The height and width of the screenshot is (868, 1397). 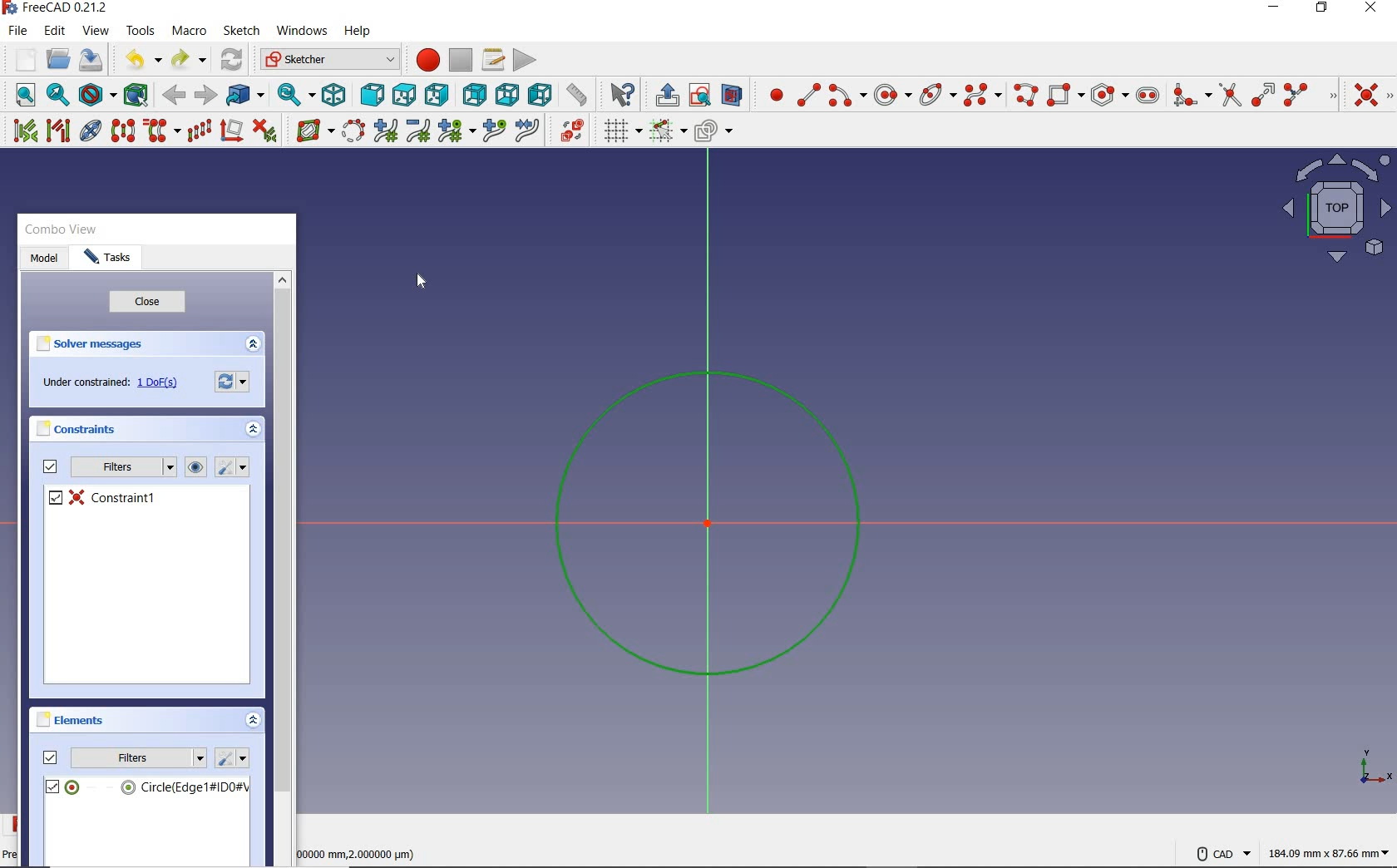 I want to click on create rectangle, so click(x=1066, y=95).